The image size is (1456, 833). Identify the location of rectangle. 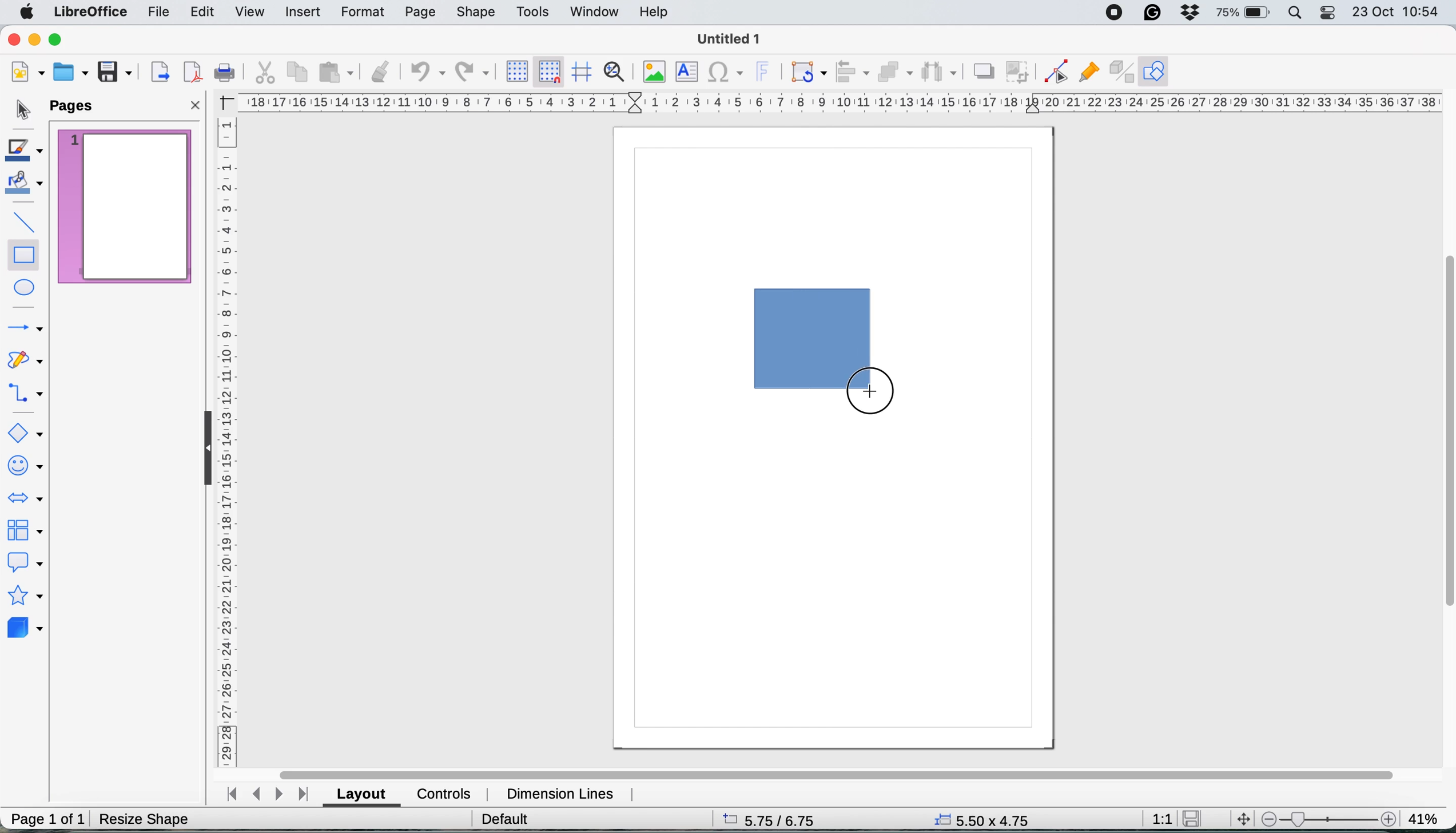
(25, 253).